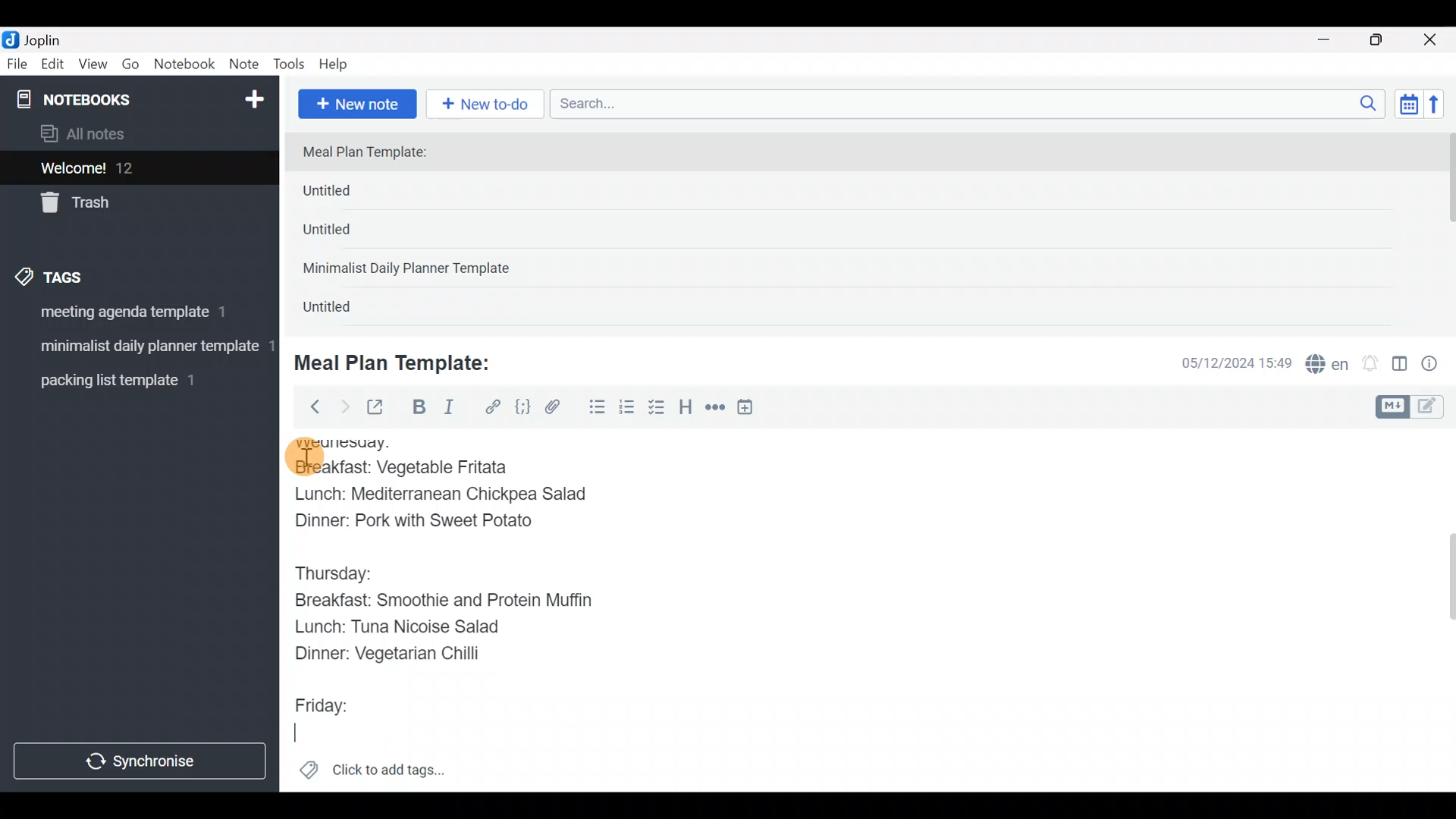 This screenshot has width=1456, height=819. I want to click on New, so click(253, 96).